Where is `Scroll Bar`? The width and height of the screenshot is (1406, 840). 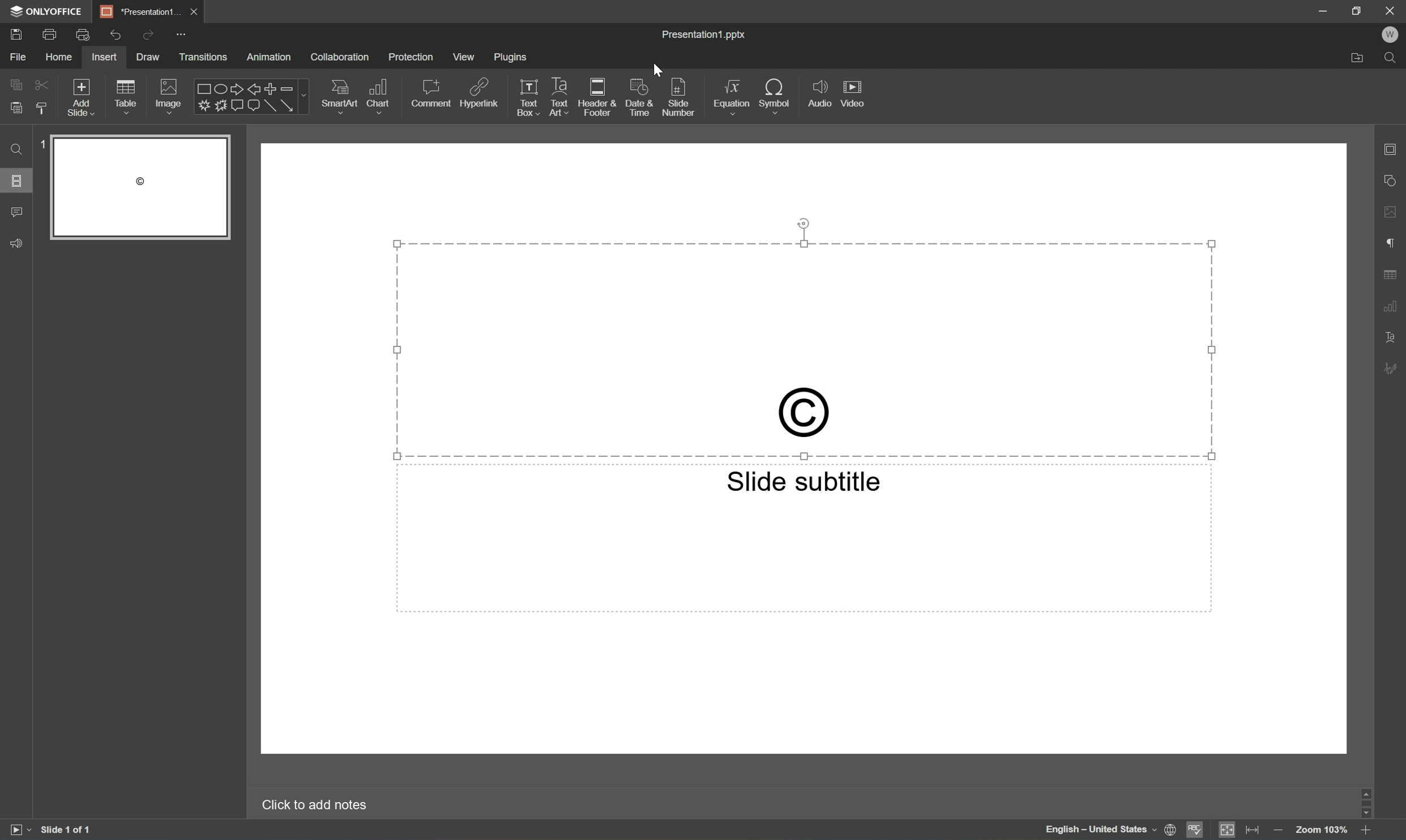 Scroll Bar is located at coordinates (1365, 803).